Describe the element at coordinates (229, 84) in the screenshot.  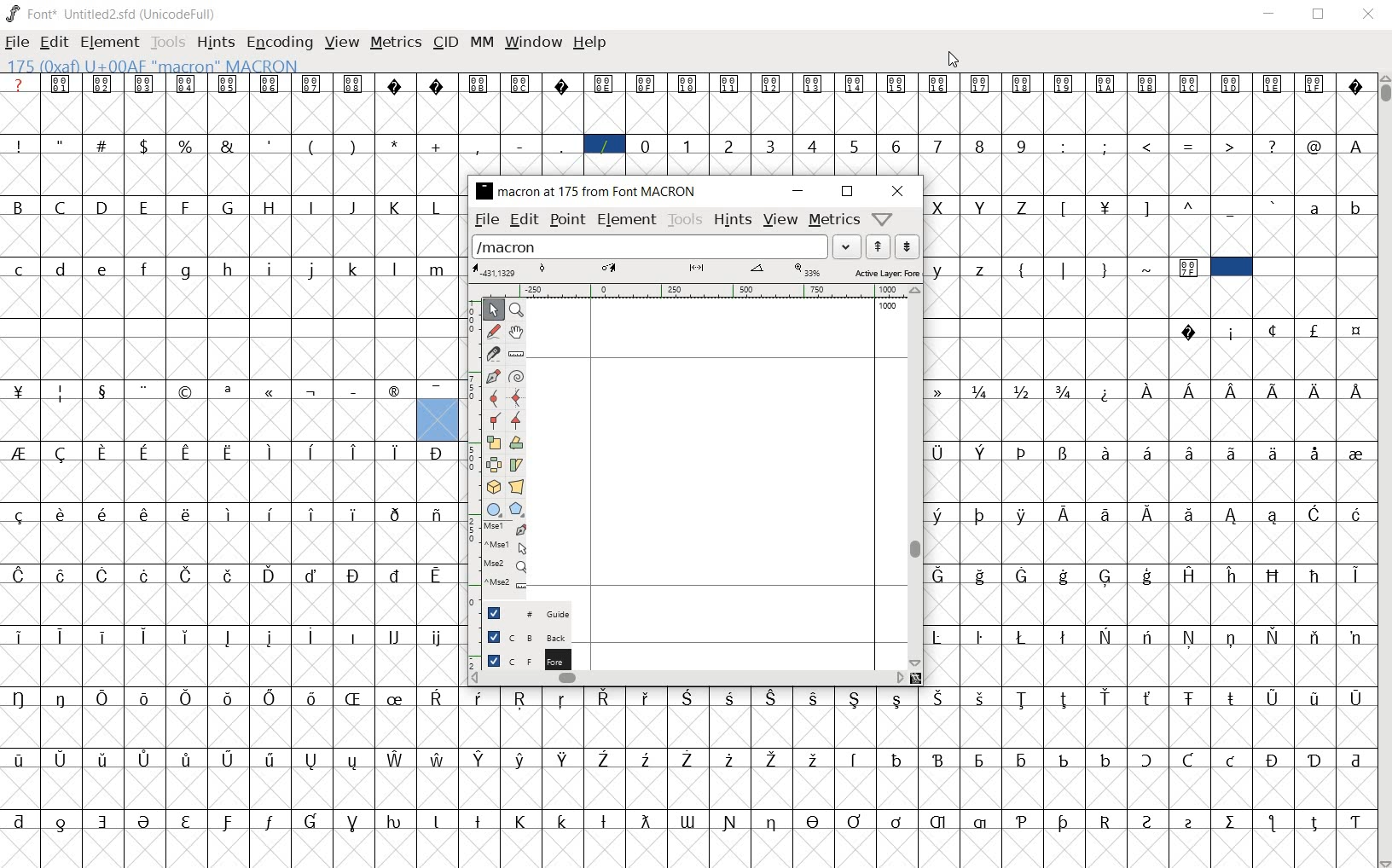
I see `Symbol` at that location.